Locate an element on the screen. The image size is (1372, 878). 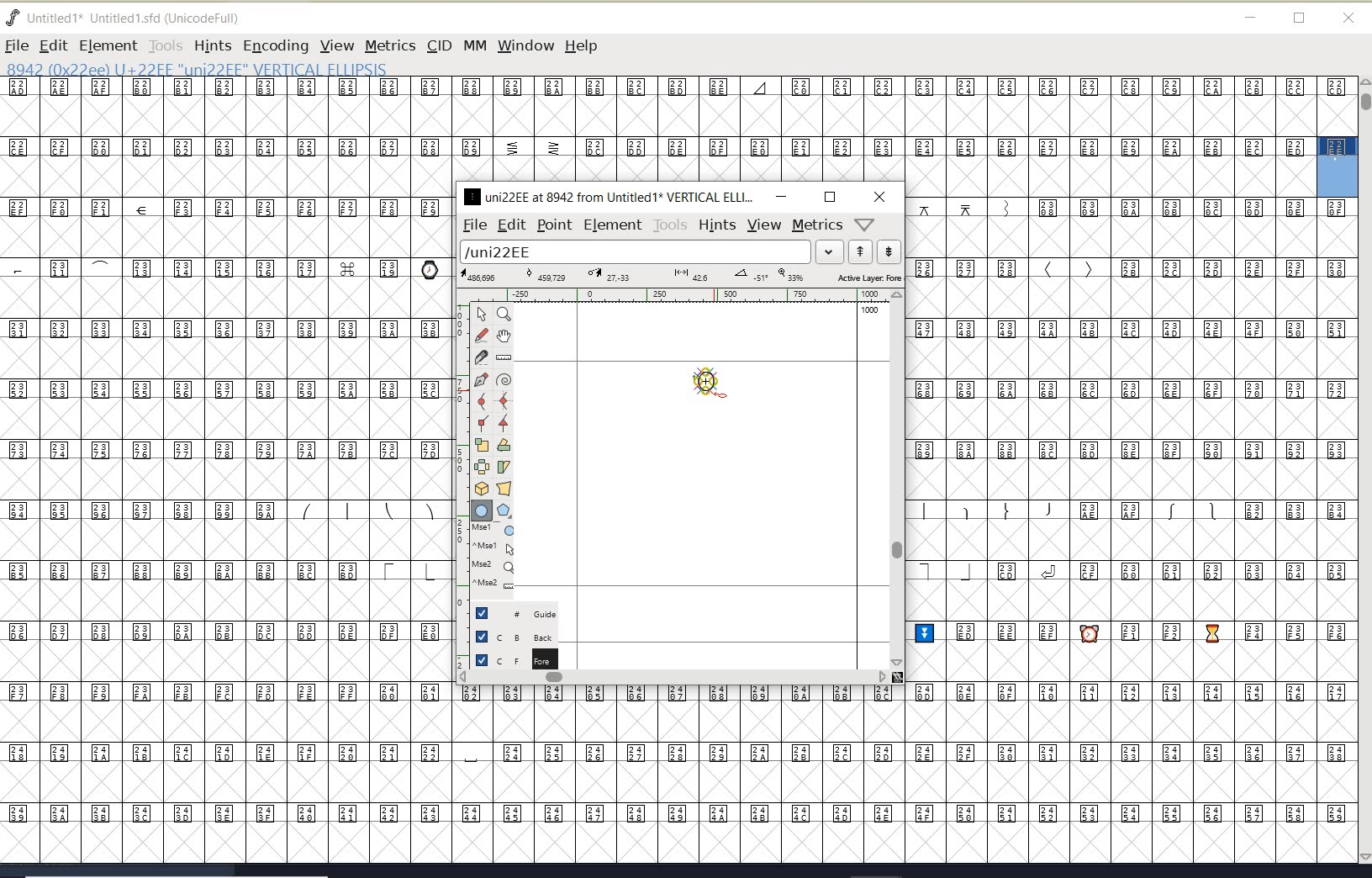
GLYPHY CHARACTERS & NUMBERS is located at coordinates (1133, 530).